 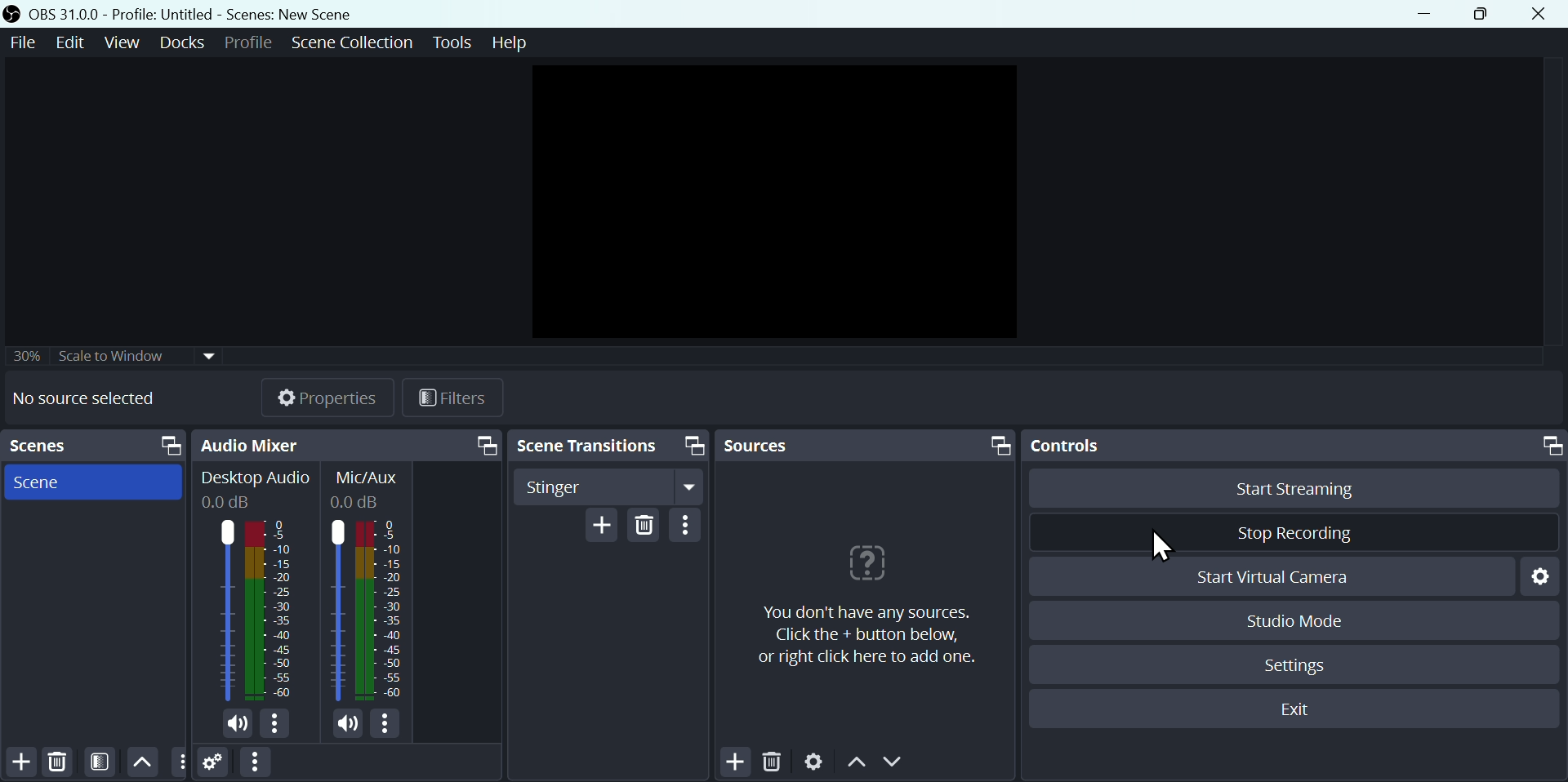 I want to click on maximise, so click(x=1480, y=14).